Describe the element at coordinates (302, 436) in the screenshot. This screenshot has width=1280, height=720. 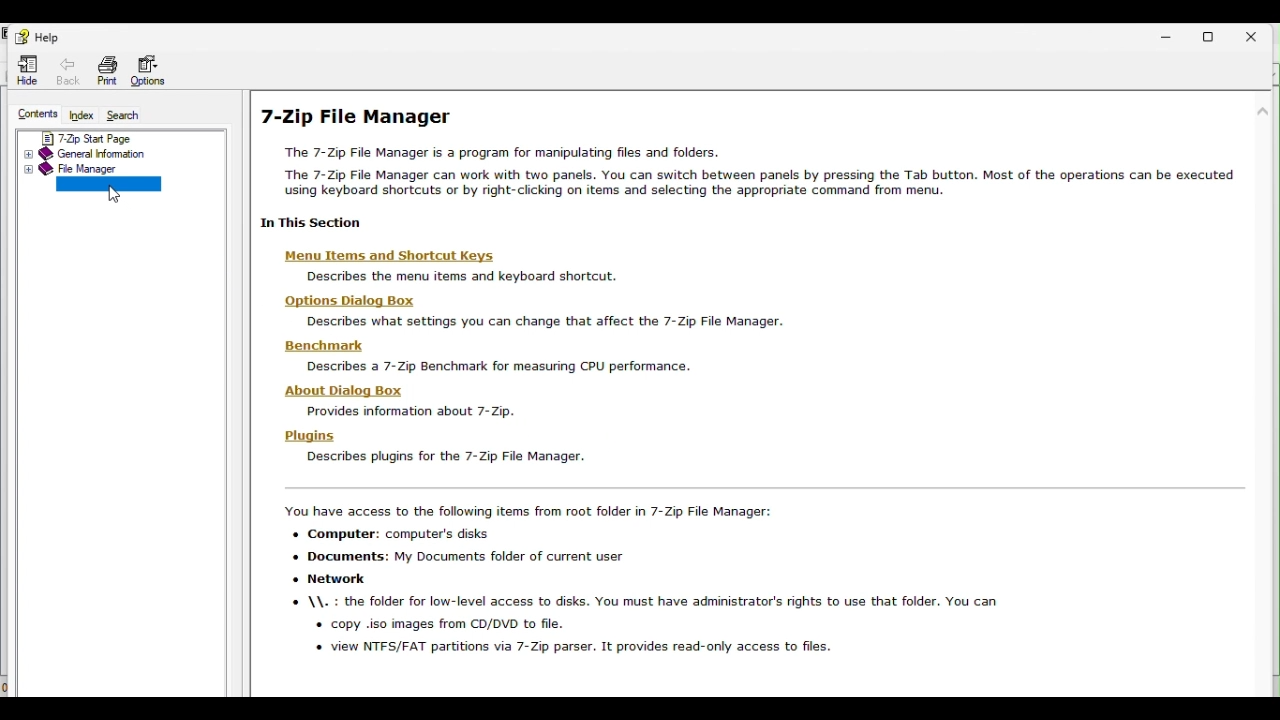
I see `plugins` at that location.